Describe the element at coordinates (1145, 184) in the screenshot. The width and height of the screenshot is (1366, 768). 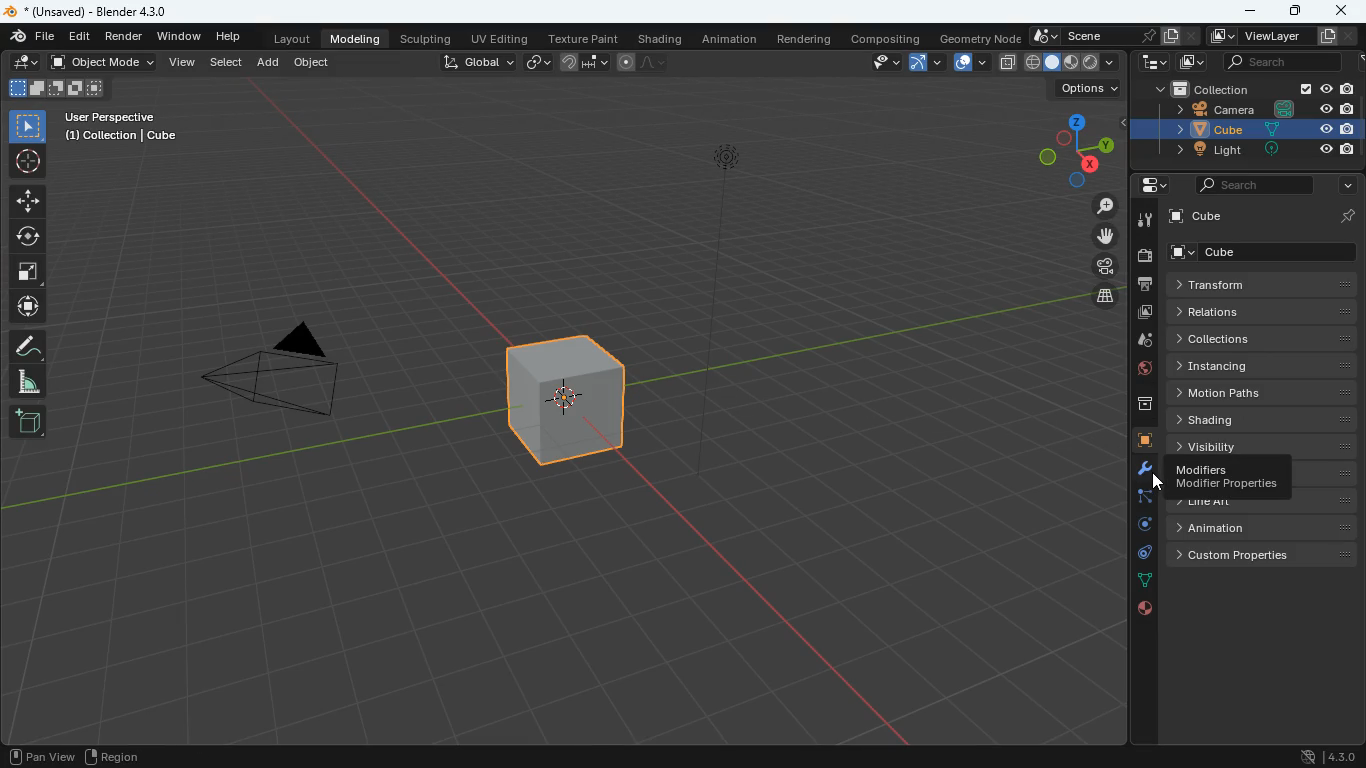
I see `settings` at that location.